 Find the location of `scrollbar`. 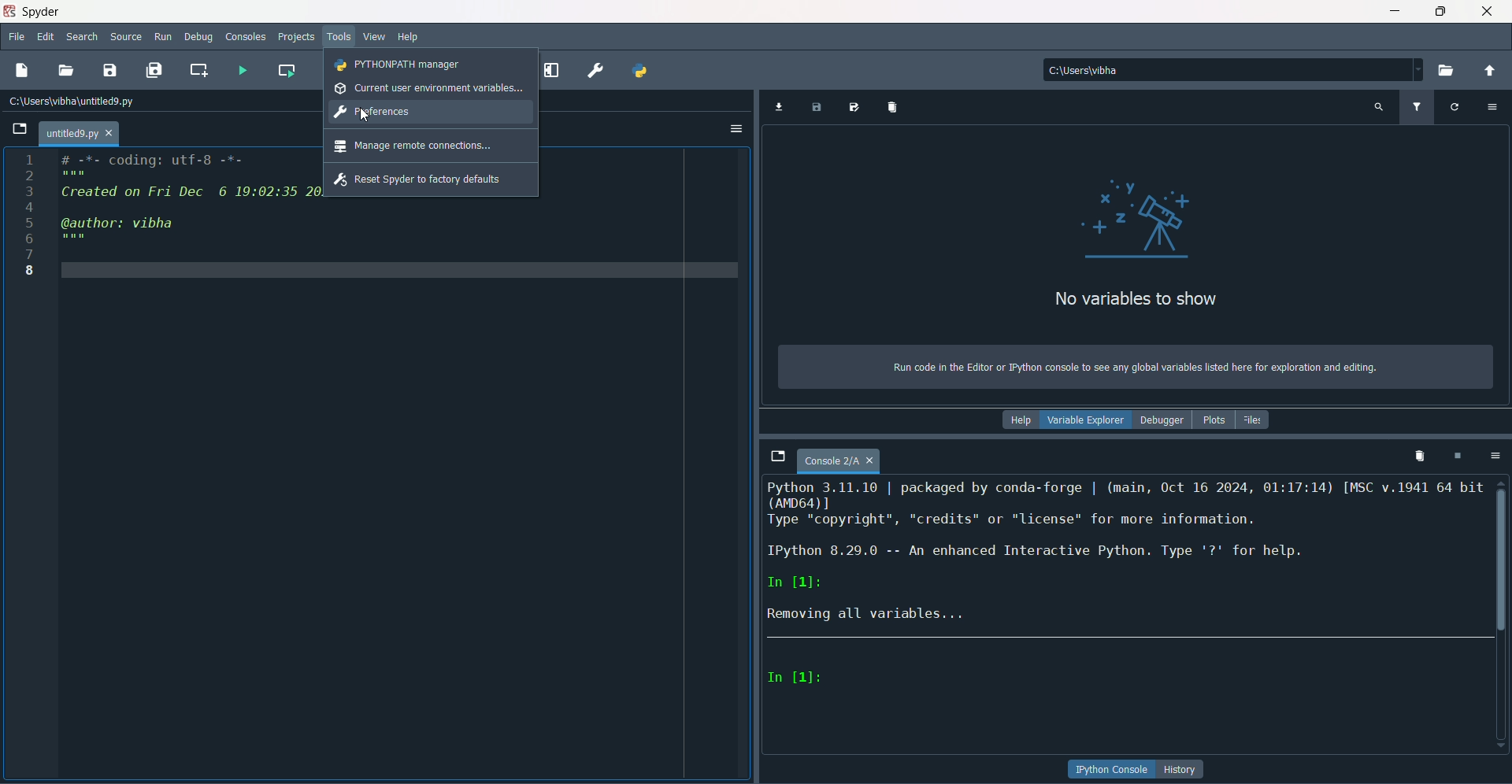

scrollbar is located at coordinates (1502, 556).